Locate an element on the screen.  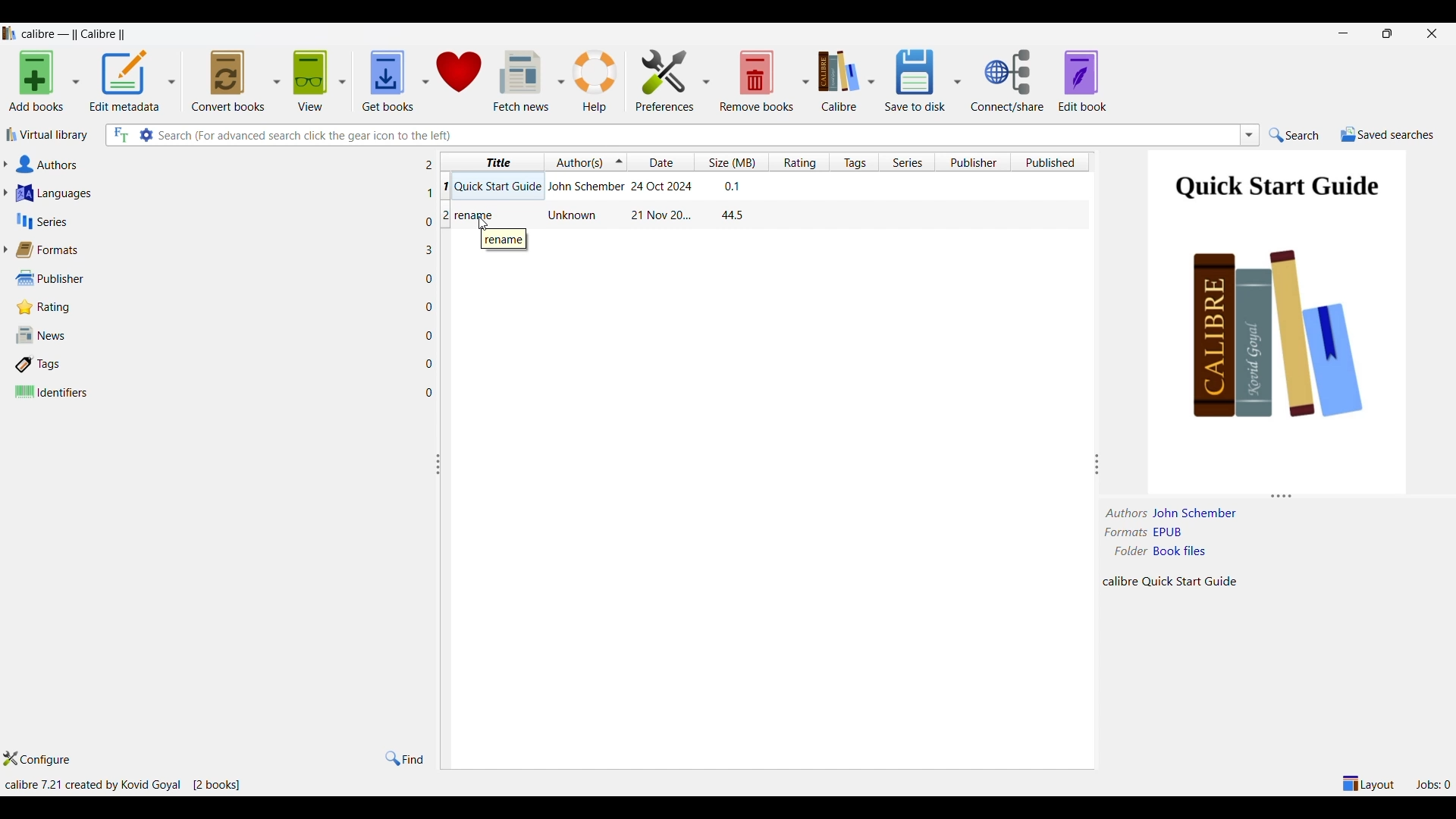
Get books is located at coordinates (388, 81).